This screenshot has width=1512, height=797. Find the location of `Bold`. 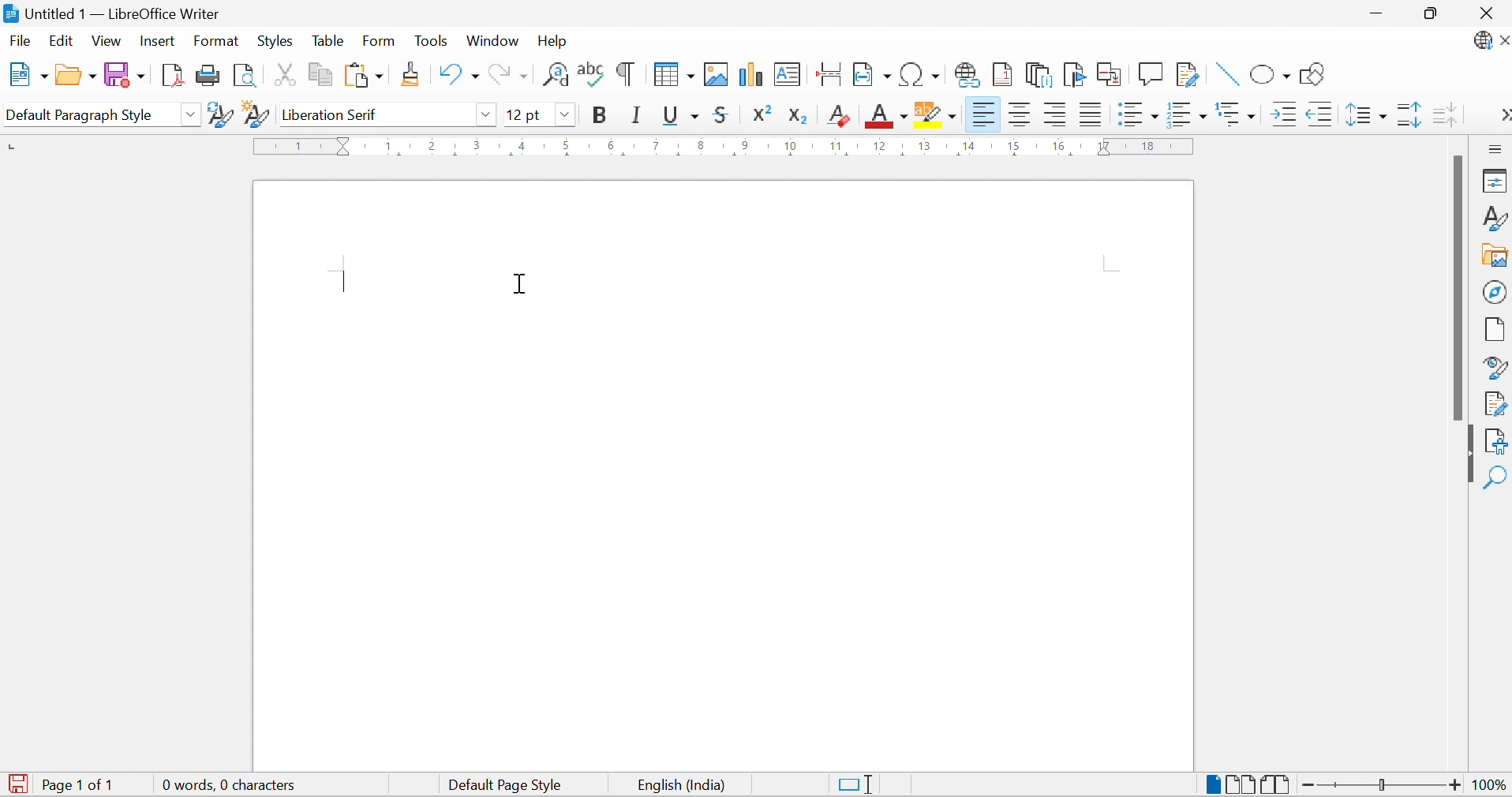

Bold is located at coordinates (601, 115).